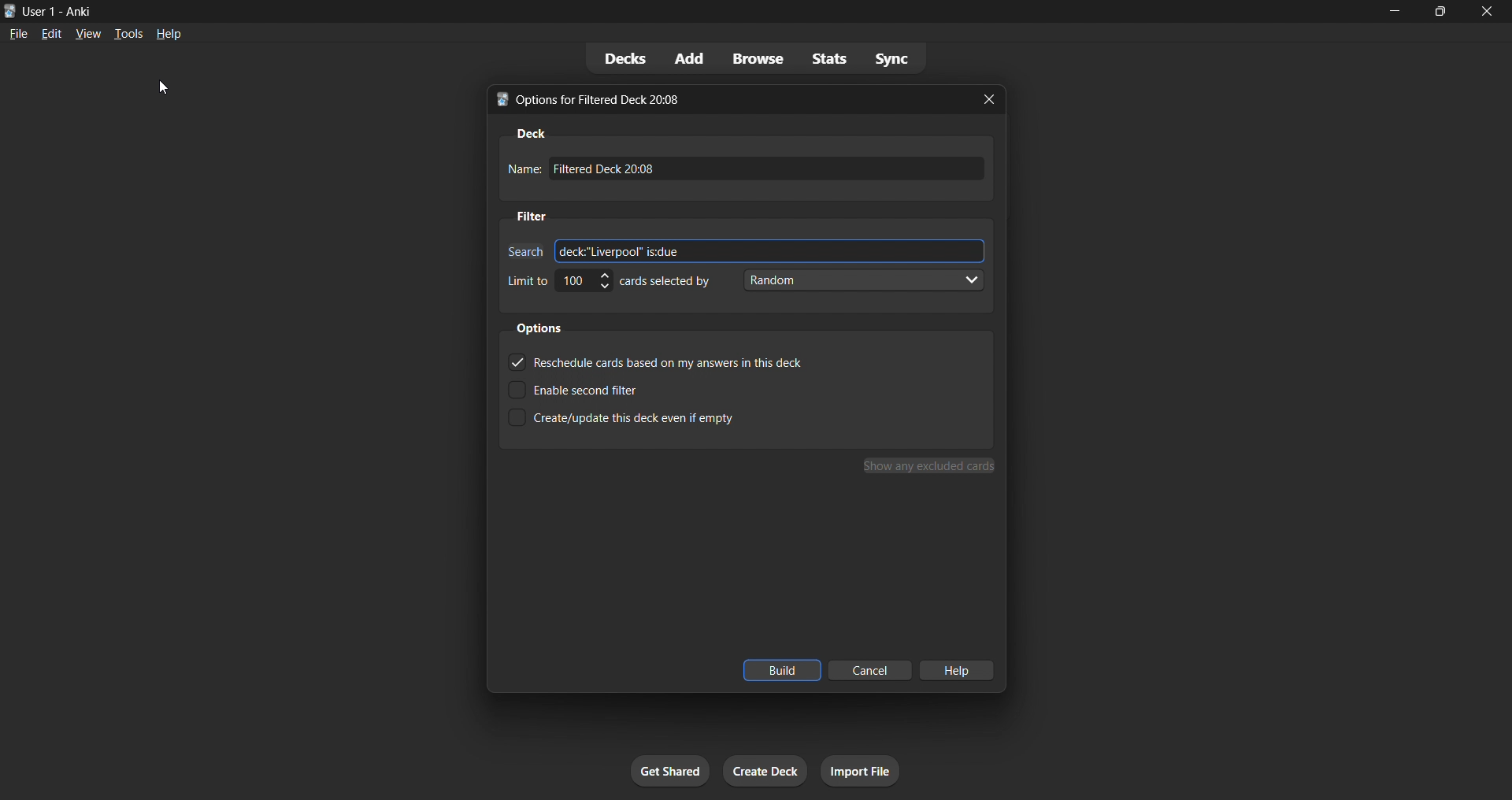  What do you see at coordinates (755, 58) in the screenshot?
I see `browse` at bounding box center [755, 58].